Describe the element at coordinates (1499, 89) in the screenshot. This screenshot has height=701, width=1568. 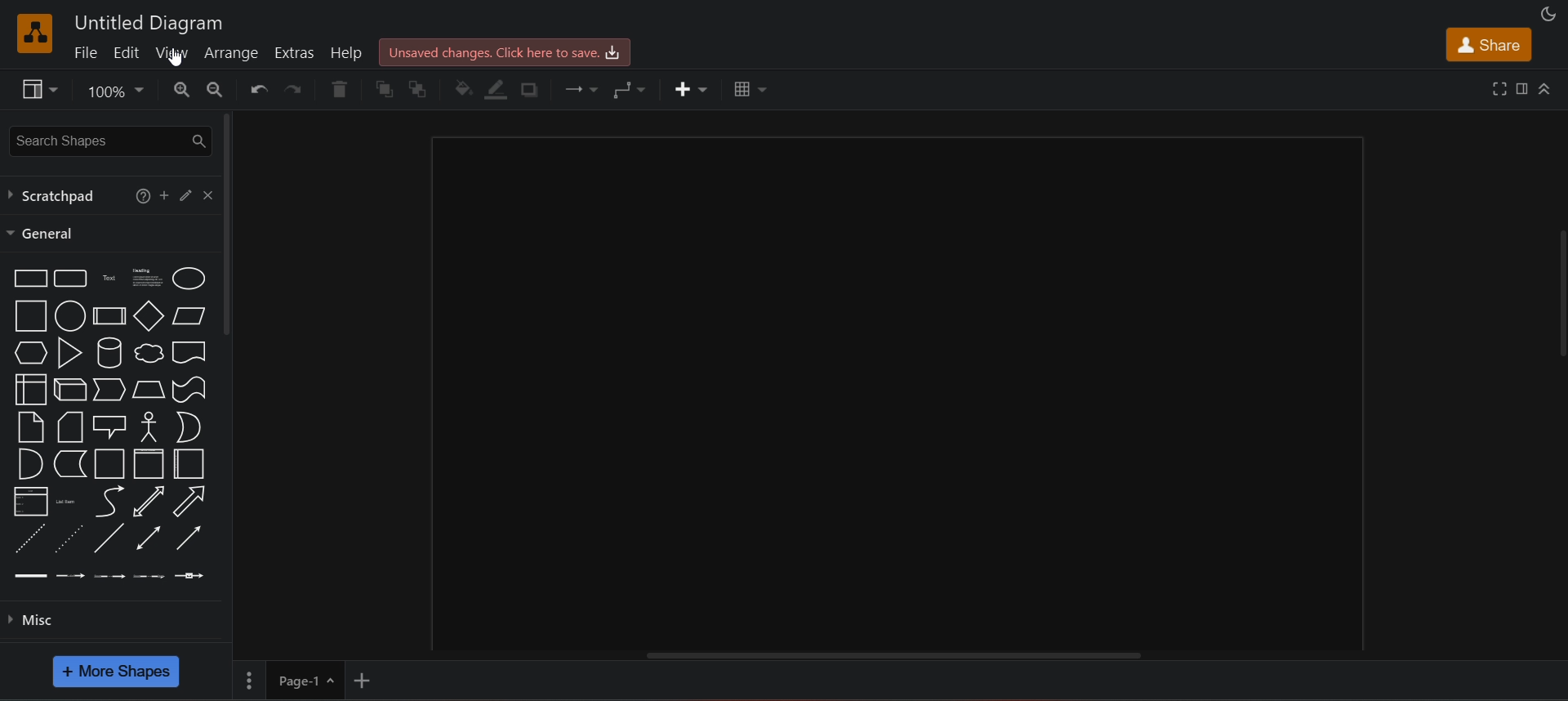
I see `fullscreen` at that location.